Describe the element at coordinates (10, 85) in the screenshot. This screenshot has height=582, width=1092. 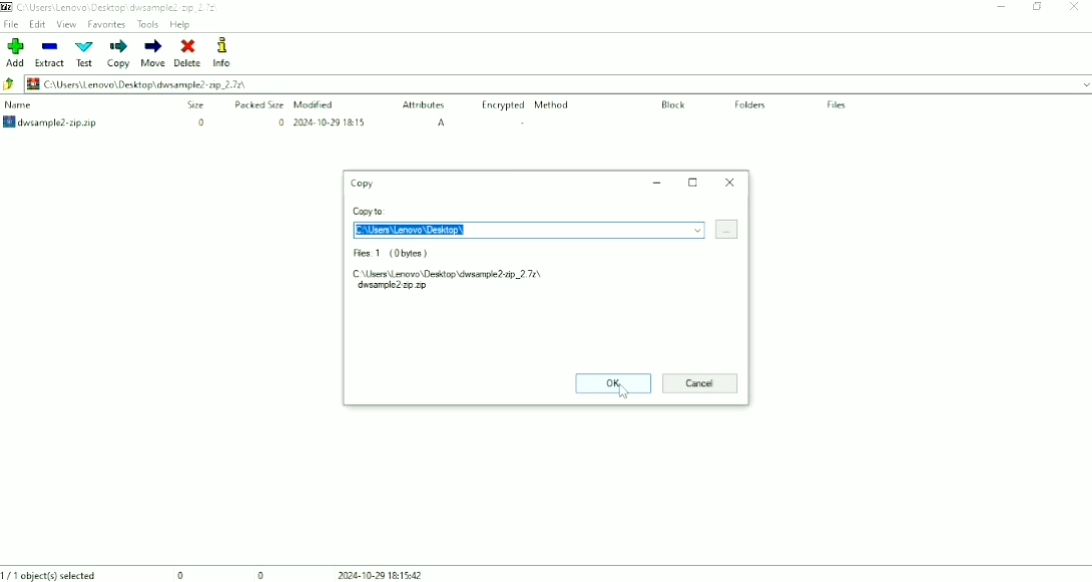
I see `Back` at that location.